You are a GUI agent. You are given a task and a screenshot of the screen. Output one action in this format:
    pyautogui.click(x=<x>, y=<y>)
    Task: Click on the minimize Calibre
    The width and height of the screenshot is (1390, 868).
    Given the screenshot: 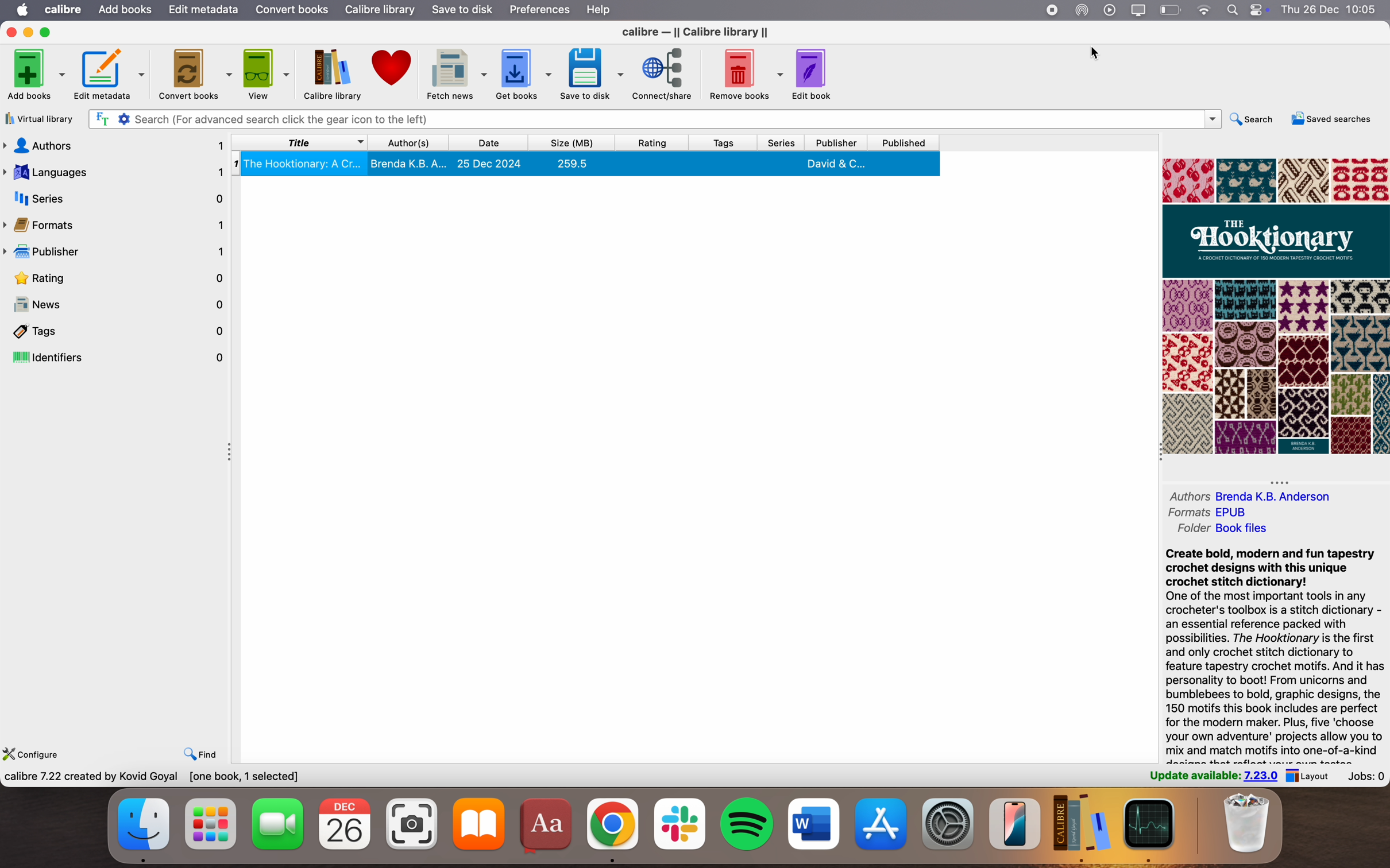 What is the action you would take?
    pyautogui.click(x=30, y=32)
    